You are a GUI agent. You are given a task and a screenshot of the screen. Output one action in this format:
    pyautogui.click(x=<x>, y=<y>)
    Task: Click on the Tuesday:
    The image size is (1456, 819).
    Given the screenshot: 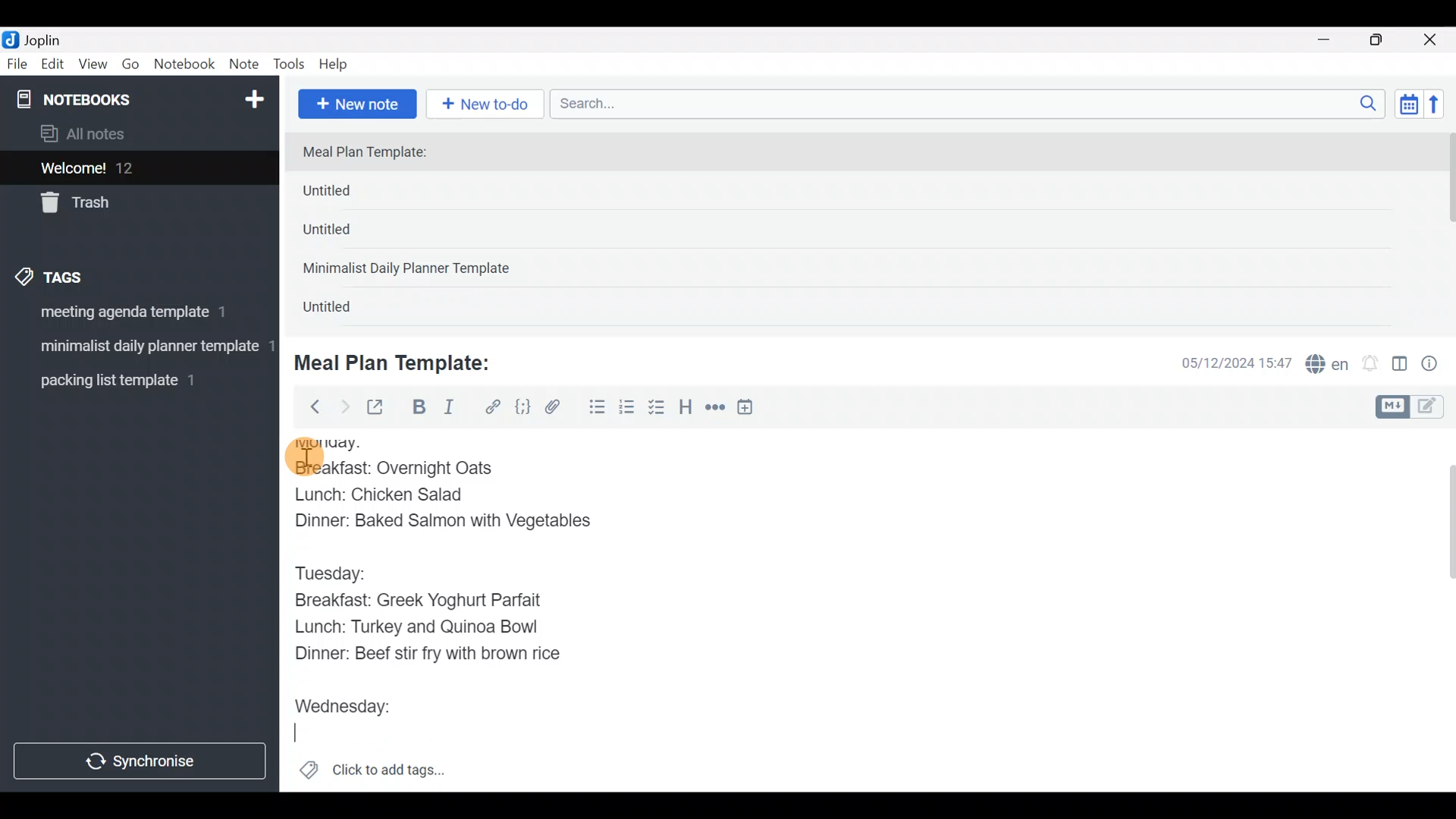 What is the action you would take?
    pyautogui.click(x=339, y=570)
    